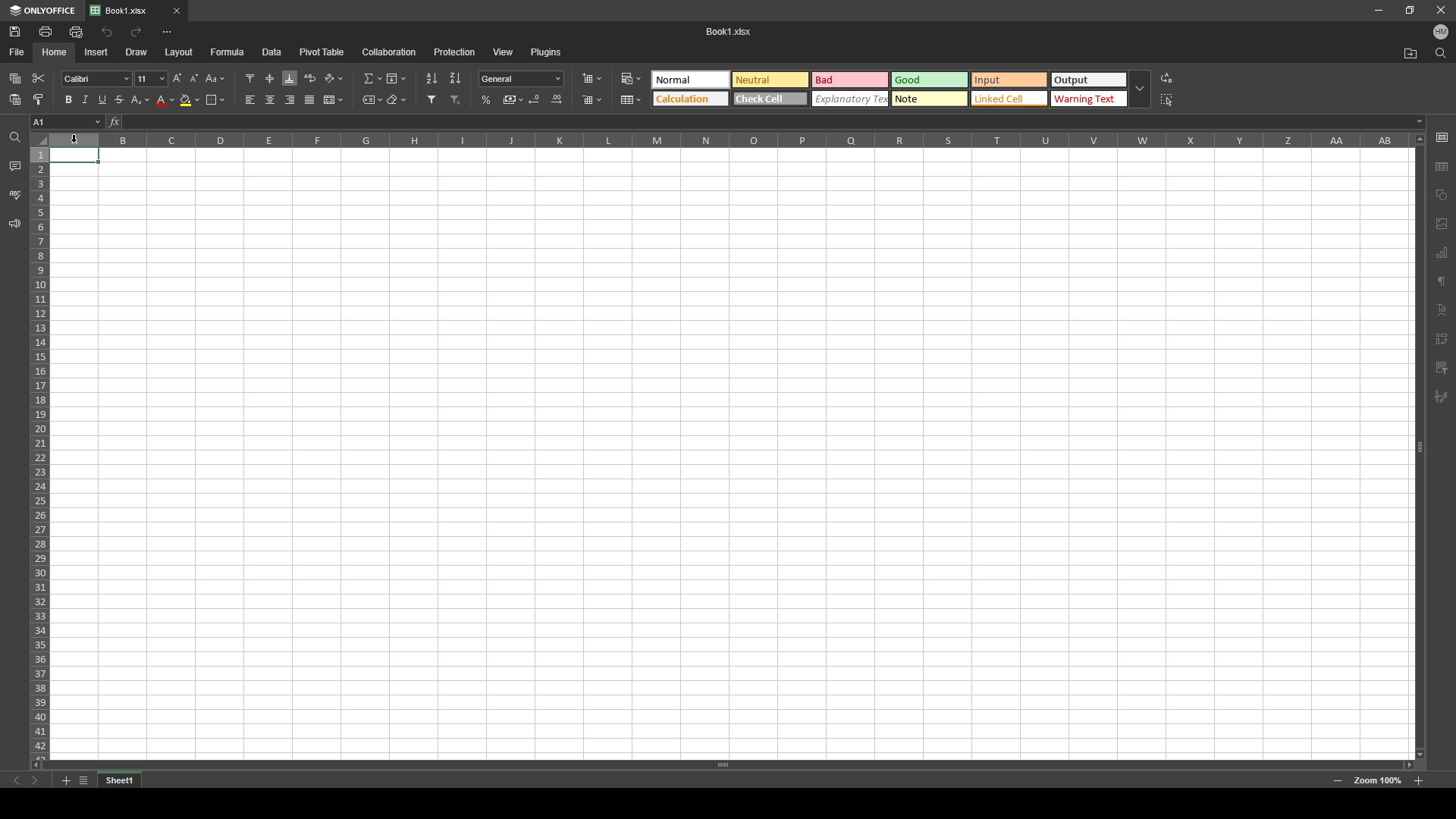  I want to click on charts, so click(1444, 253).